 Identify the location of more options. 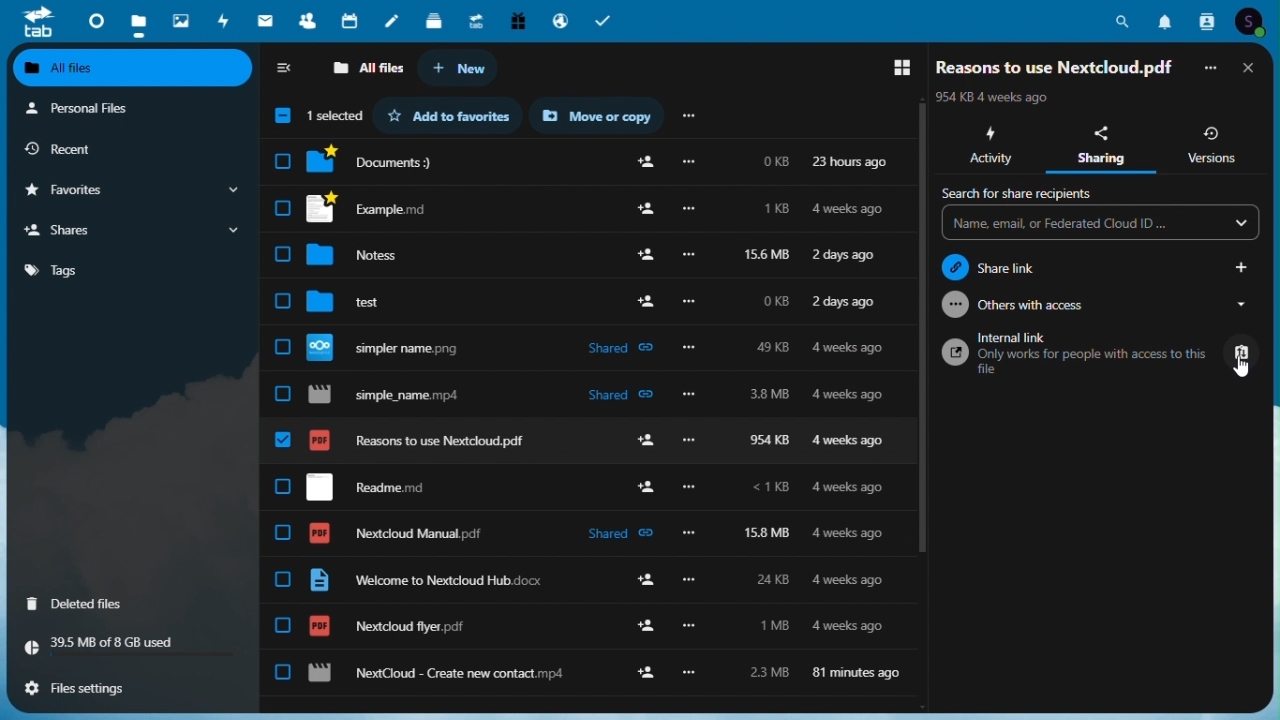
(694, 210).